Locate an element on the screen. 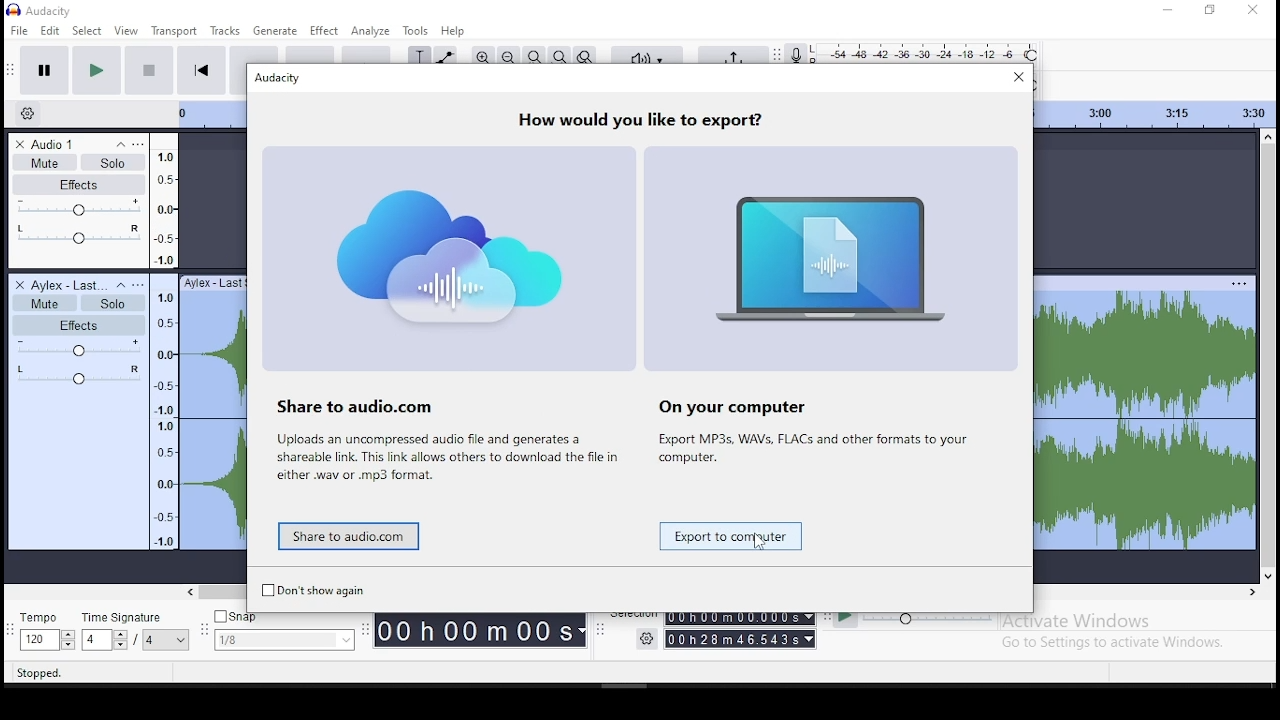  00h00mMO00.000s is located at coordinates (739, 616).